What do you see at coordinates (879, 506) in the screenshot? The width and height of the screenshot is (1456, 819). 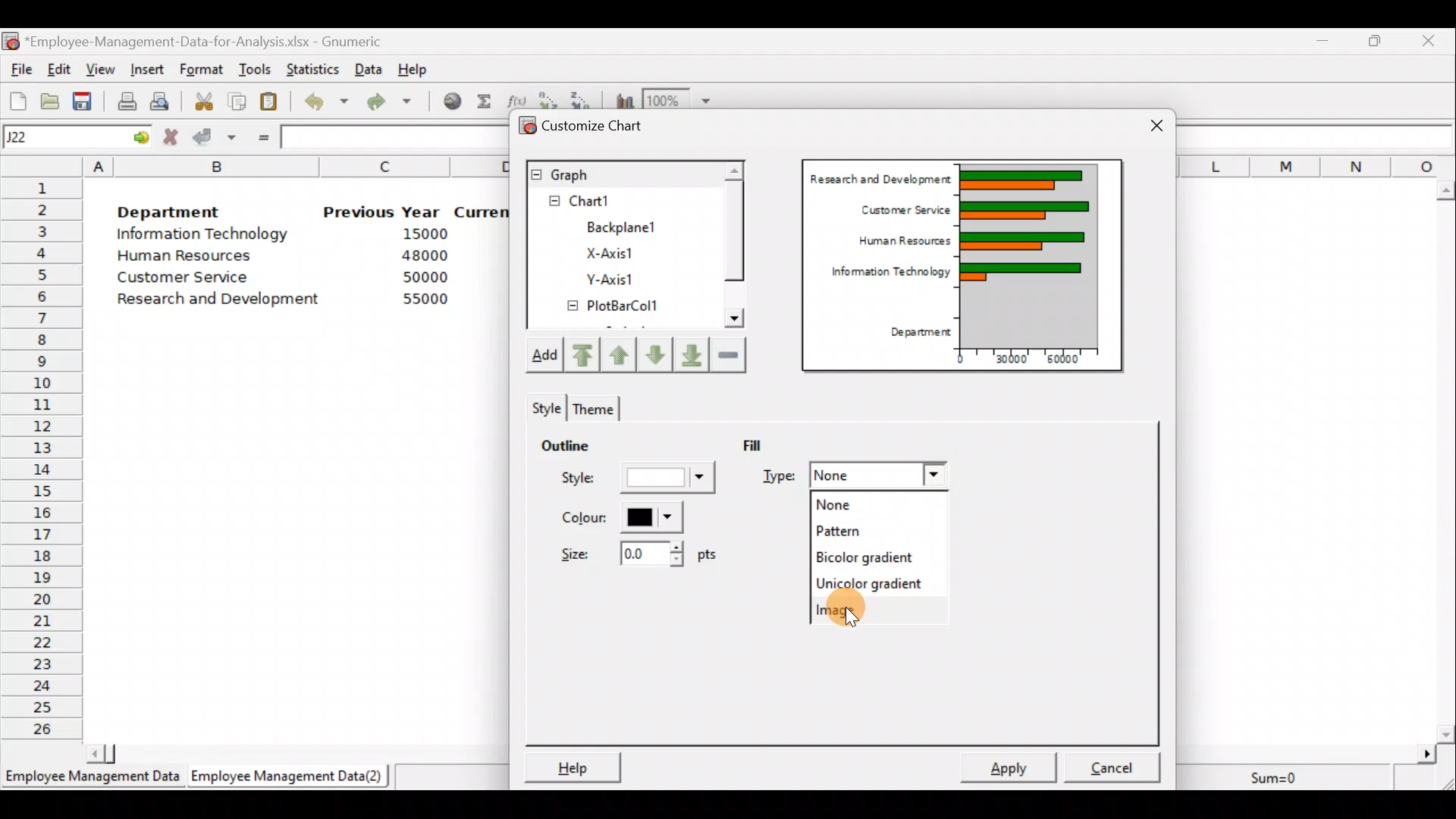 I see `None` at bounding box center [879, 506].